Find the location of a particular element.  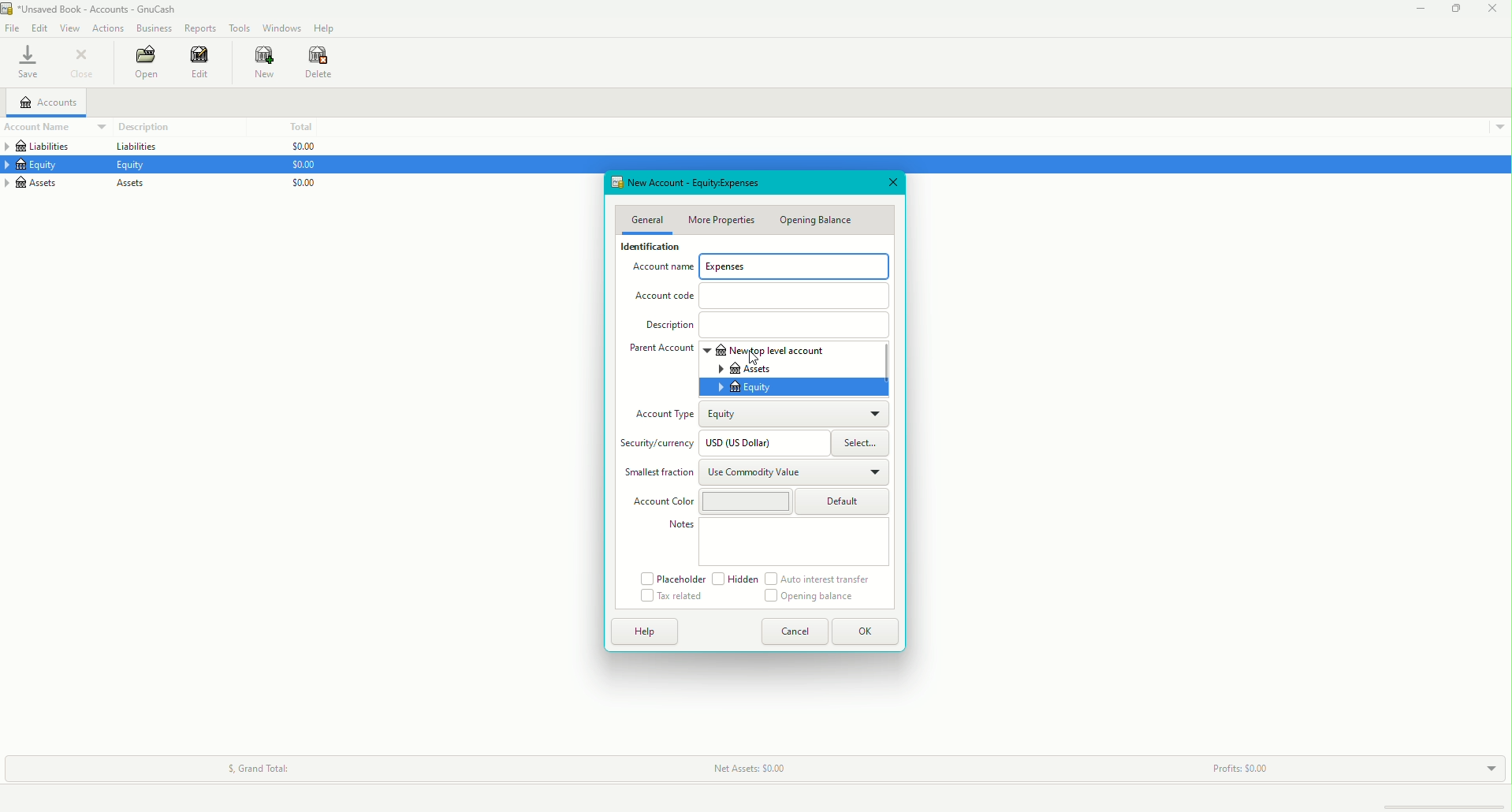

Edit is located at coordinates (37, 26).